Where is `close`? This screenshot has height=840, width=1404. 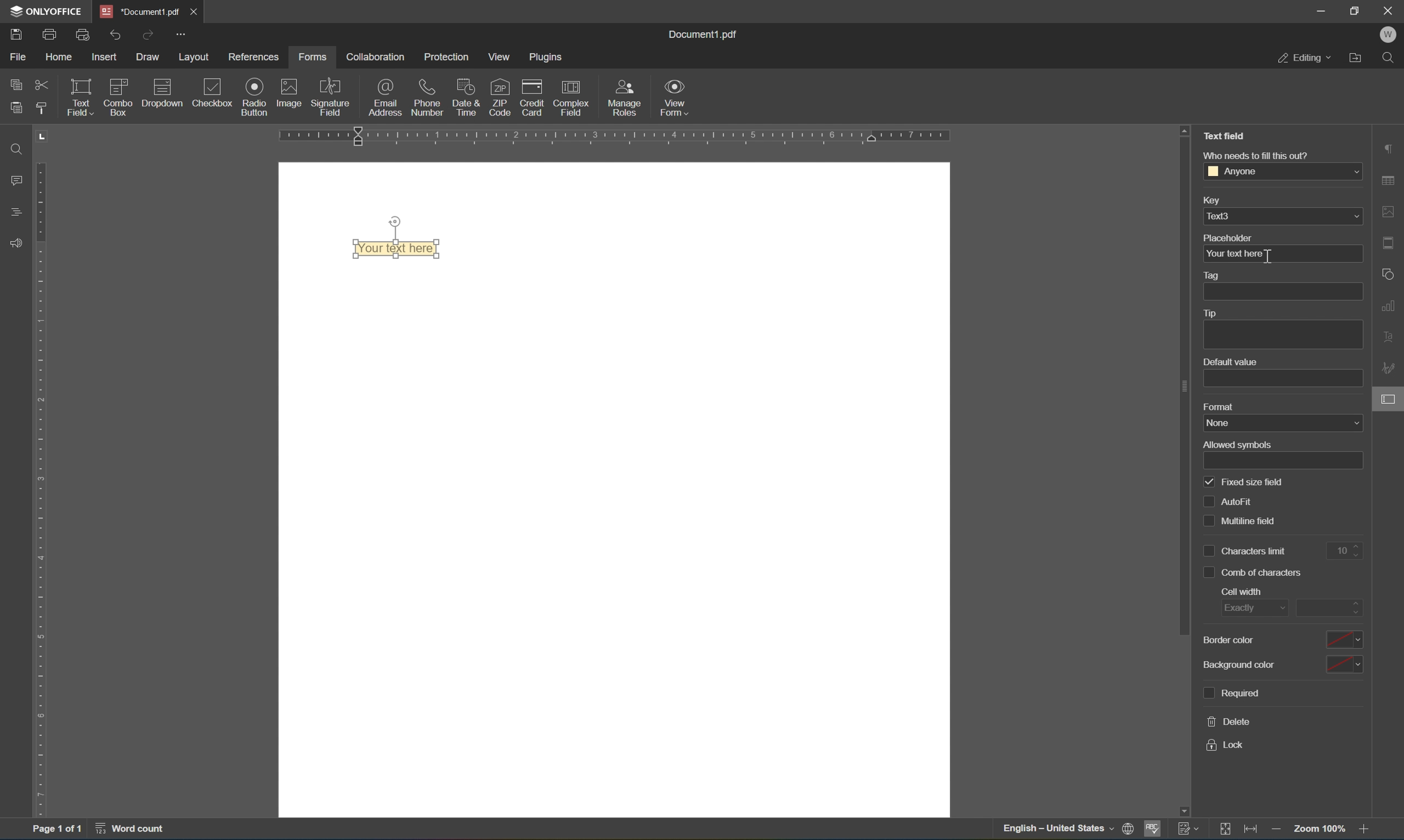 close is located at coordinates (1389, 10).